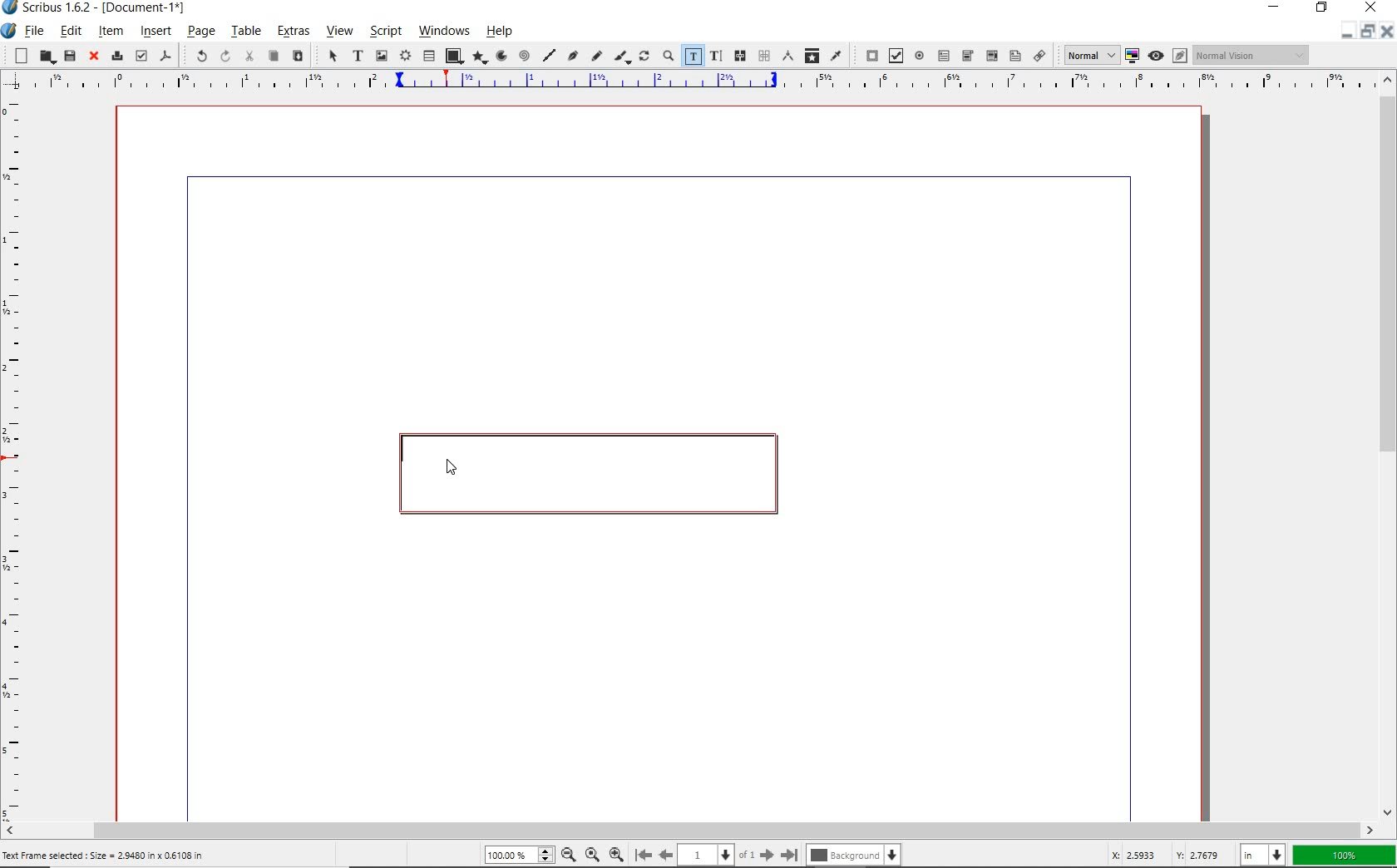 This screenshot has height=868, width=1397. Describe the element at coordinates (453, 57) in the screenshot. I see `shape` at that location.